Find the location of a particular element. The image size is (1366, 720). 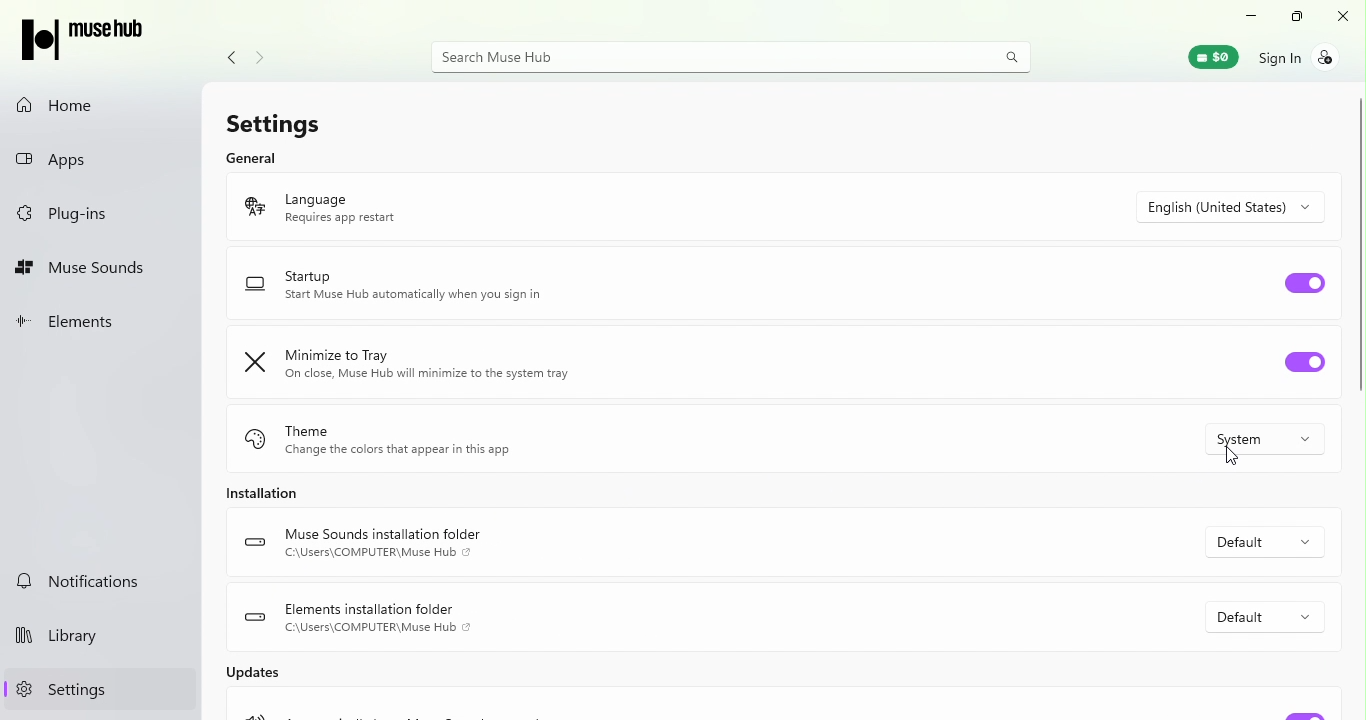

language is located at coordinates (376, 208).